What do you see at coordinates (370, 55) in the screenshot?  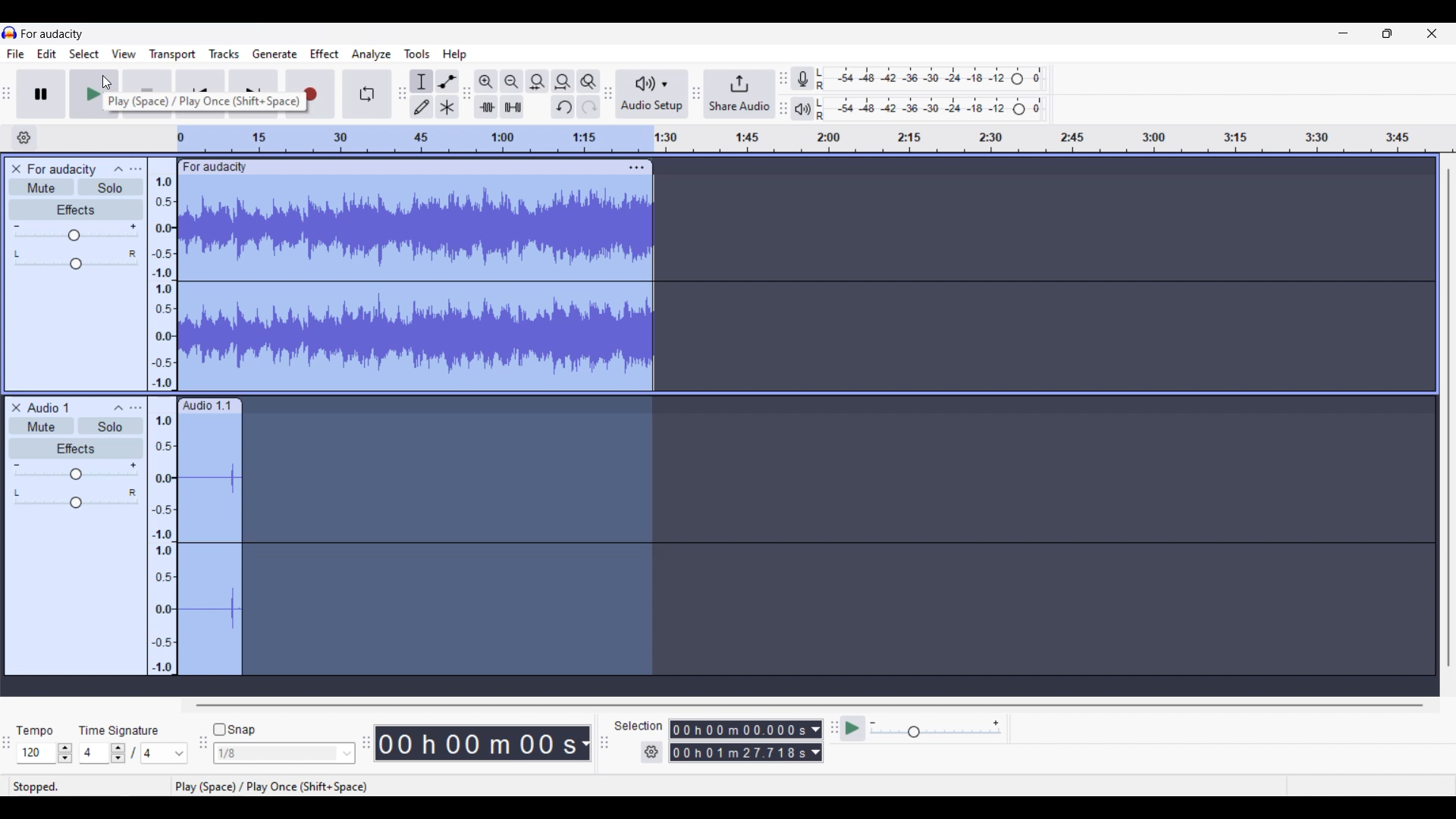 I see `Analyze ` at bounding box center [370, 55].